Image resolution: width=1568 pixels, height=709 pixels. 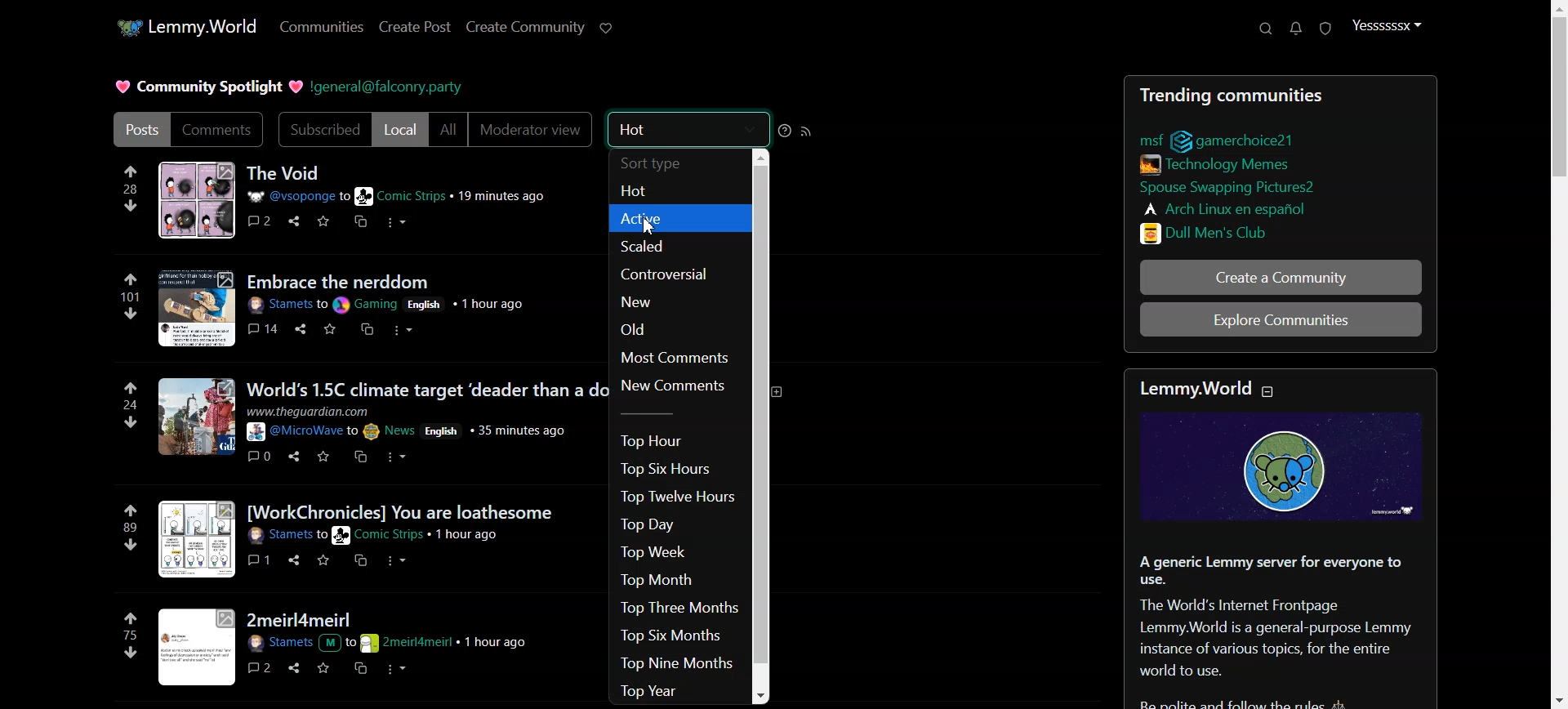 I want to click on Controversial, so click(x=677, y=274).